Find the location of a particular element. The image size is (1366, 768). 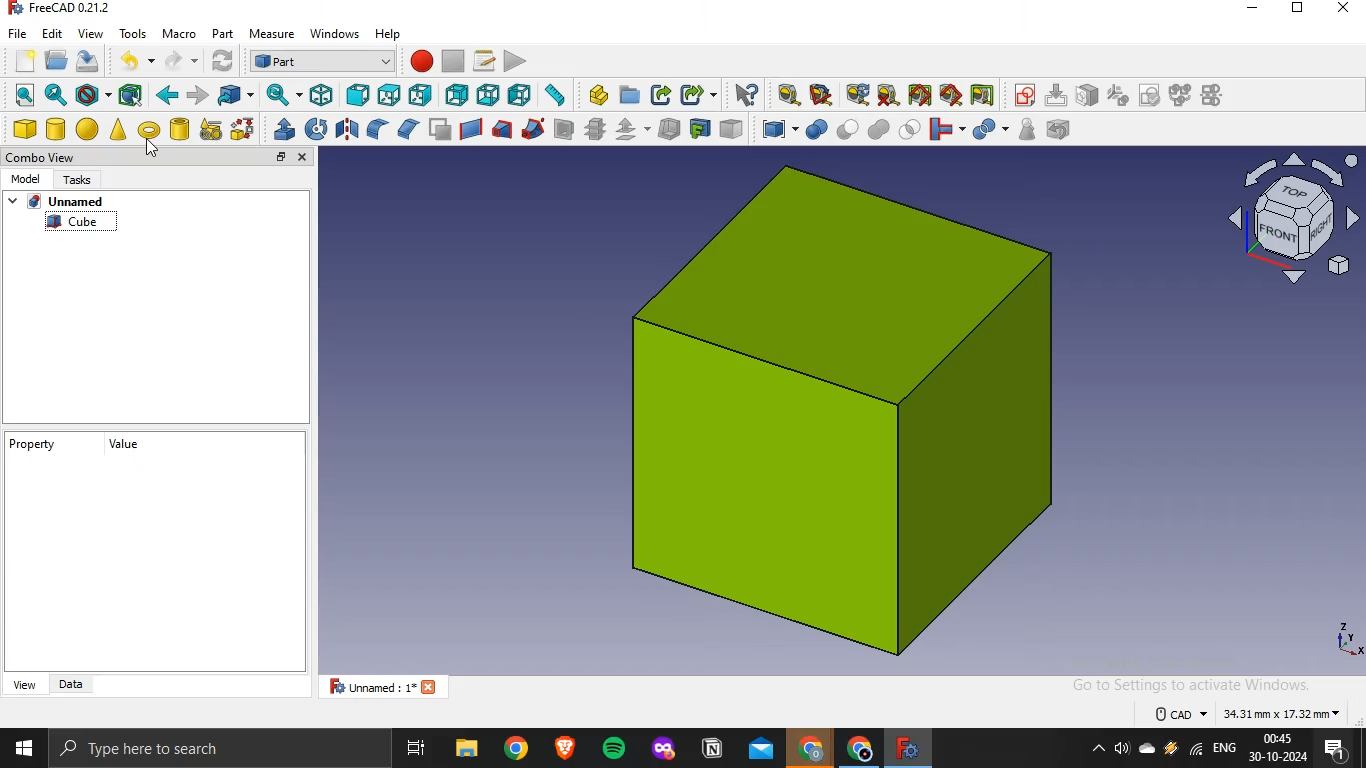

join objects is located at coordinates (944, 127).